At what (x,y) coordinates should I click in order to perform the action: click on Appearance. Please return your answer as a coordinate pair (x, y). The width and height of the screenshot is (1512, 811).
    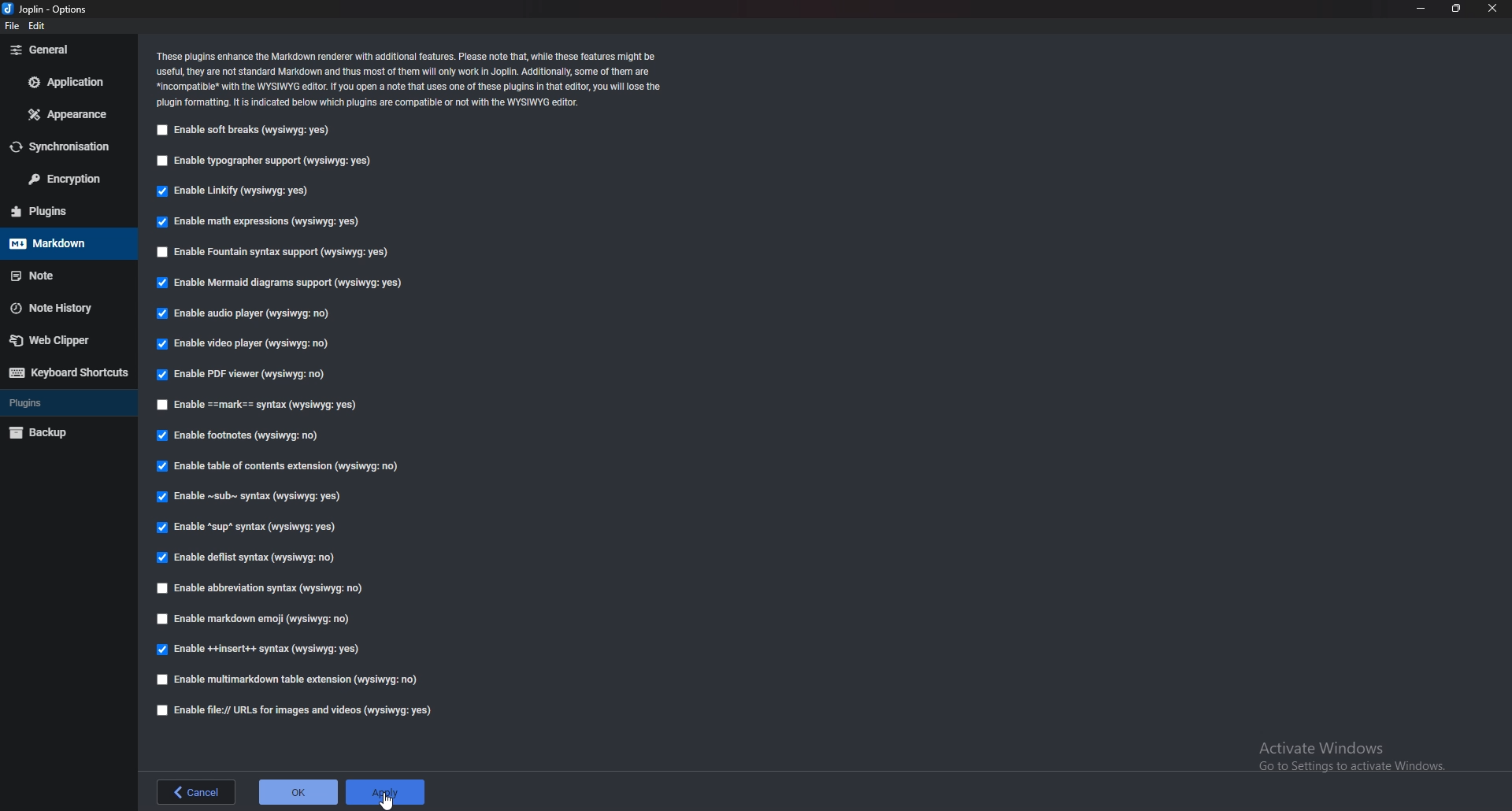
    Looking at the image, I should click on (64, 114).